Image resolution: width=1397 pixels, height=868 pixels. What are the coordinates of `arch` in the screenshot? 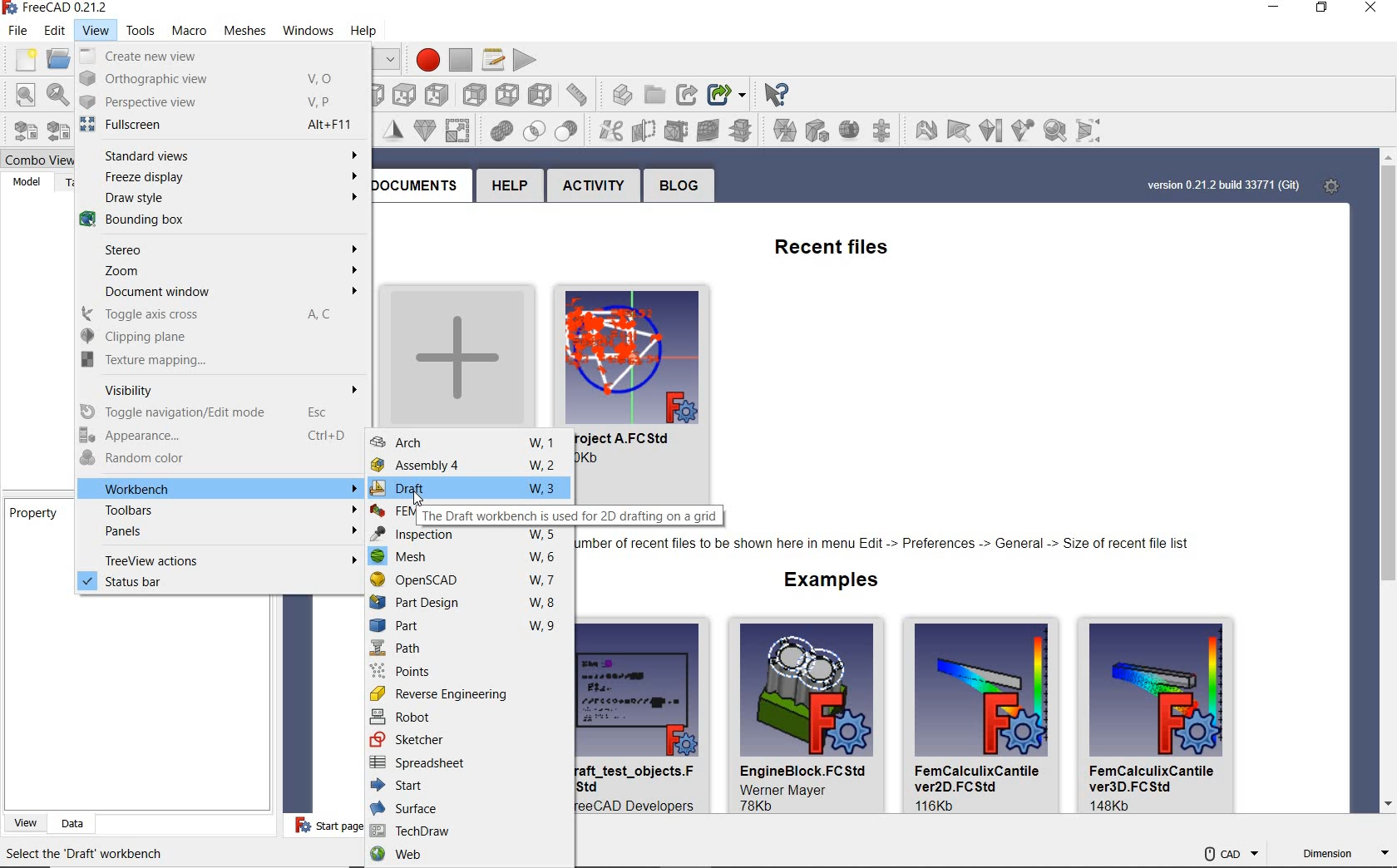 It's located at (470, 443).